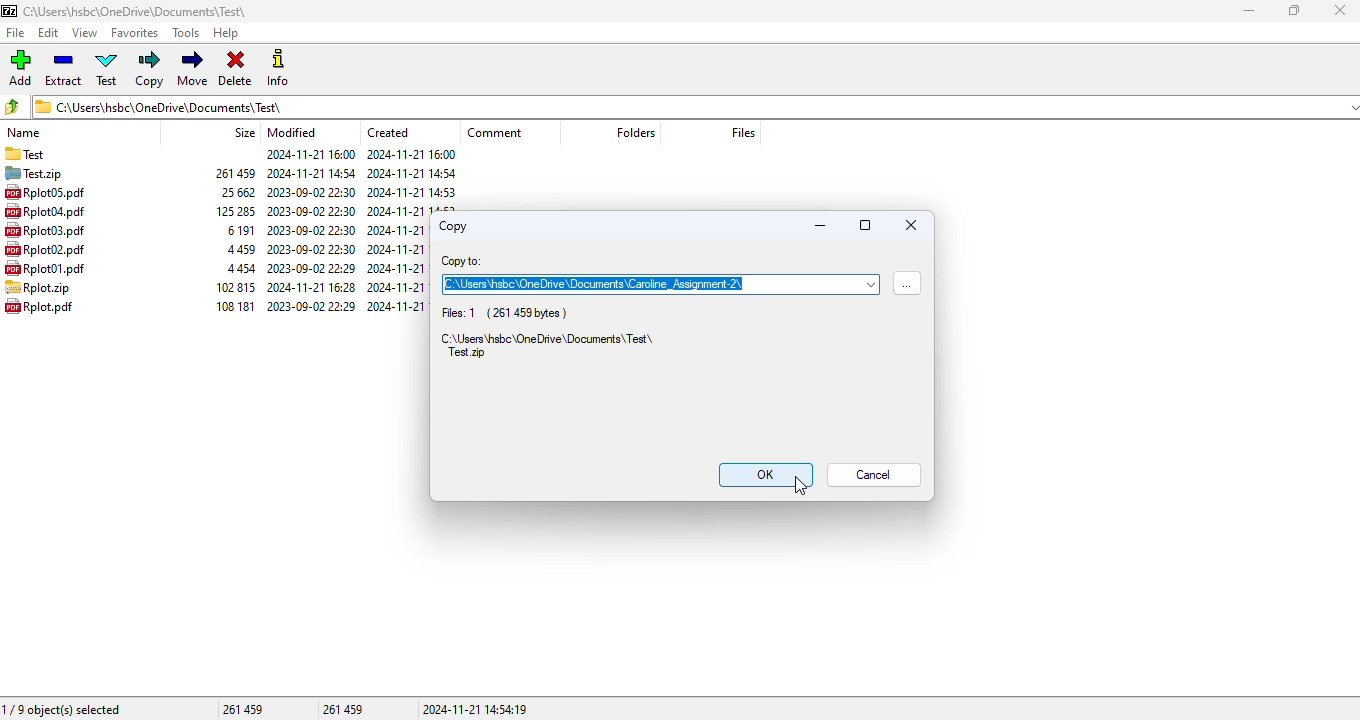 The width and height of the screenshot is (1360, 720). What do you see at coordinates (38, 287) in the screenshot?
I see `file` at bounding box center [38, 287].